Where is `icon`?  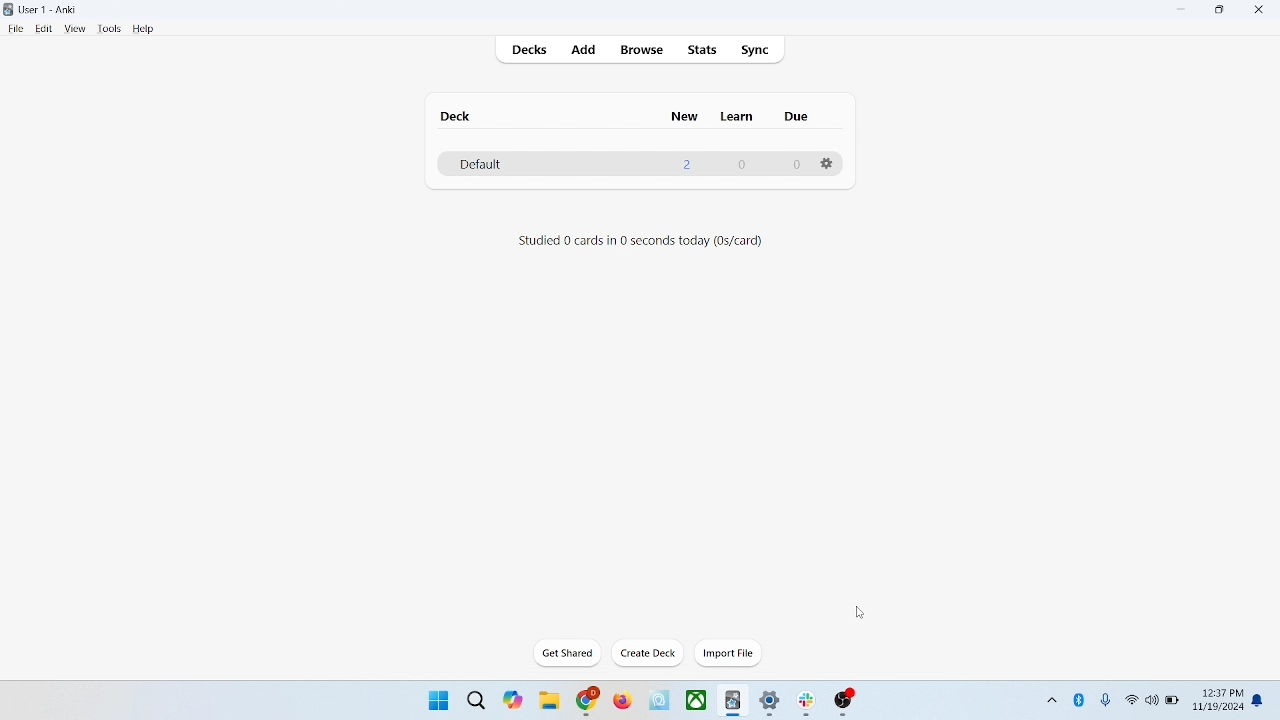 icon is located at coordinates (661, 701).